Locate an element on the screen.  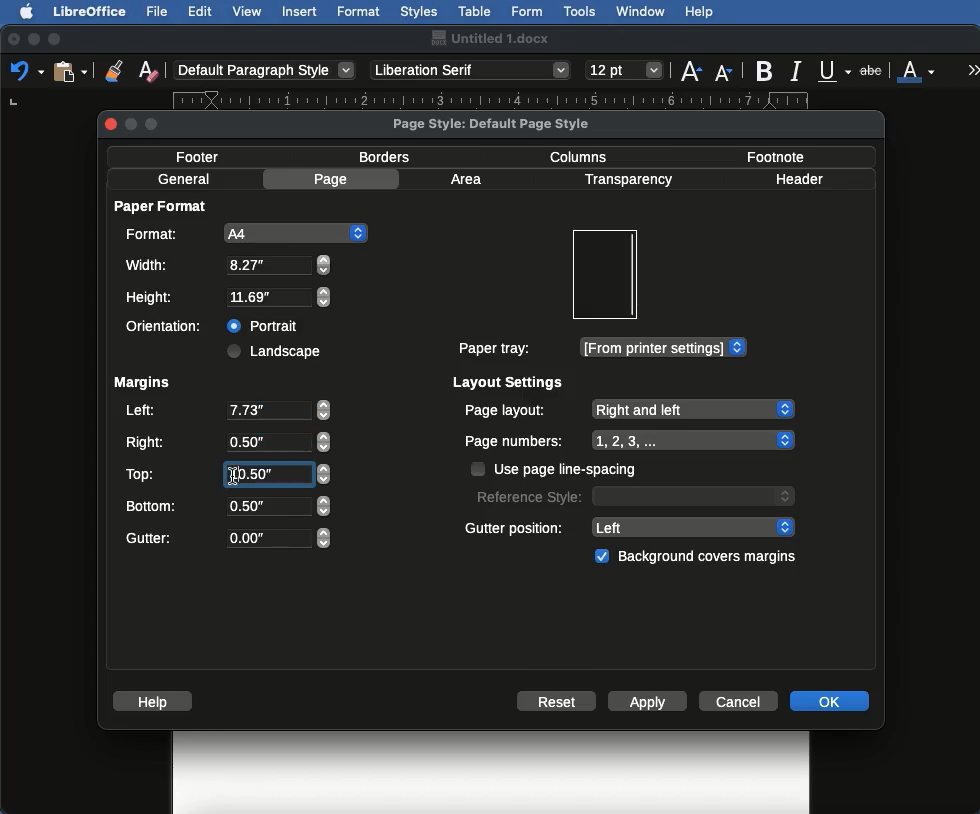
Maximize is located at coordinates (56, 39).